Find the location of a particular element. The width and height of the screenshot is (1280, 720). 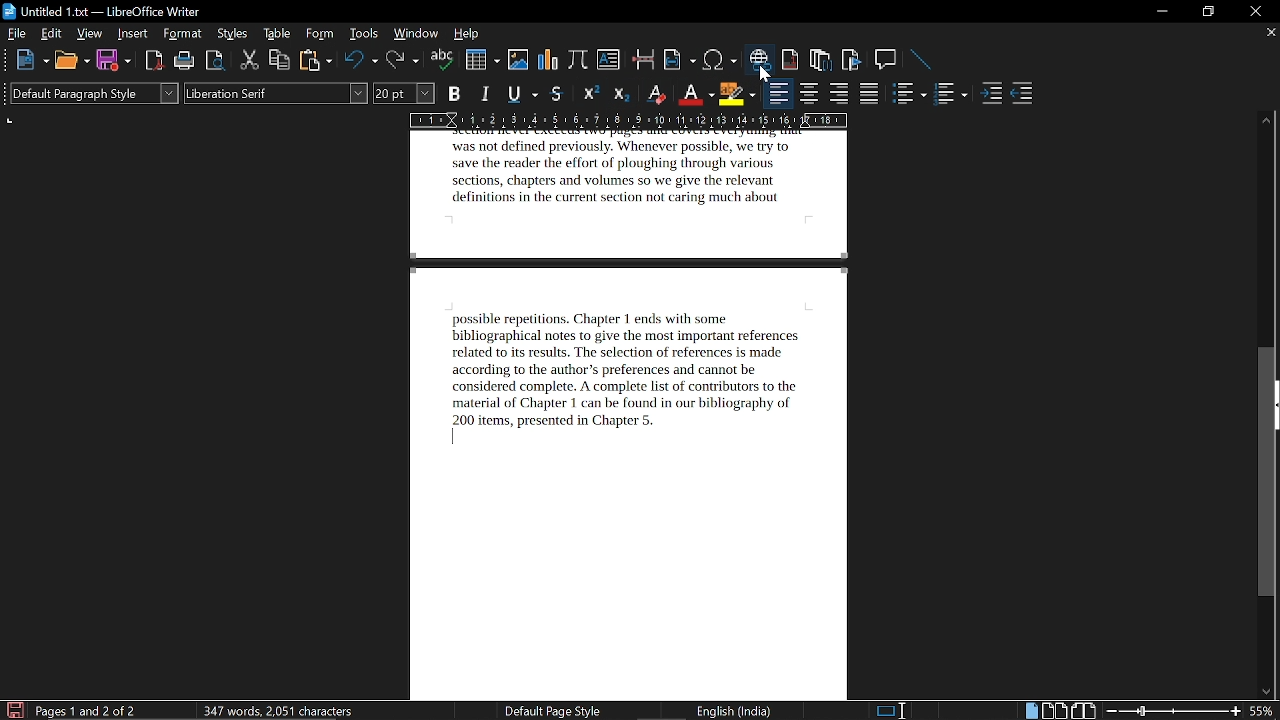

cut is located at coordinates (250, 60).